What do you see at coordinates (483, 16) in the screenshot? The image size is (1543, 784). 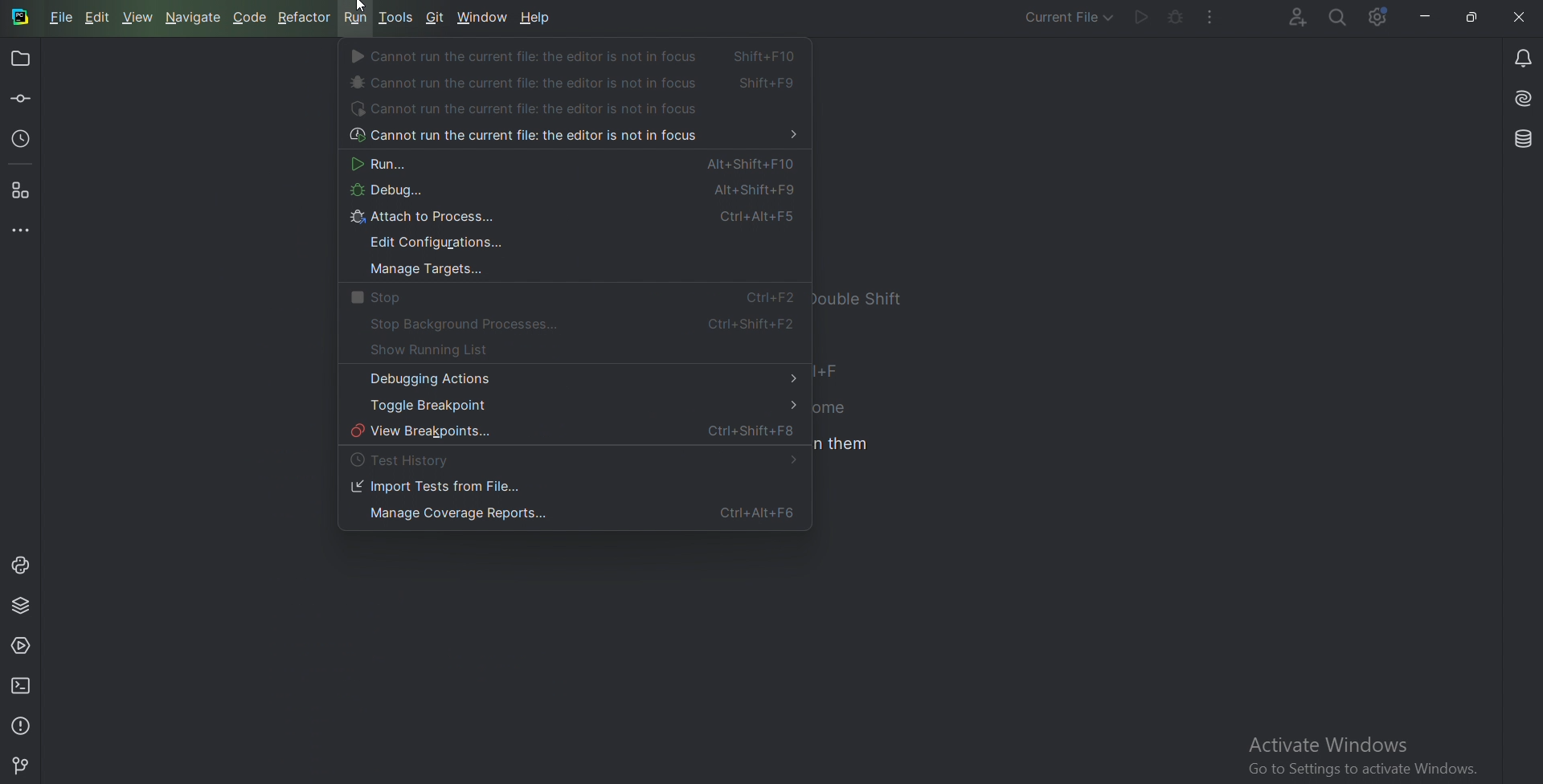 I see `window` at bounding box center [483, 16].